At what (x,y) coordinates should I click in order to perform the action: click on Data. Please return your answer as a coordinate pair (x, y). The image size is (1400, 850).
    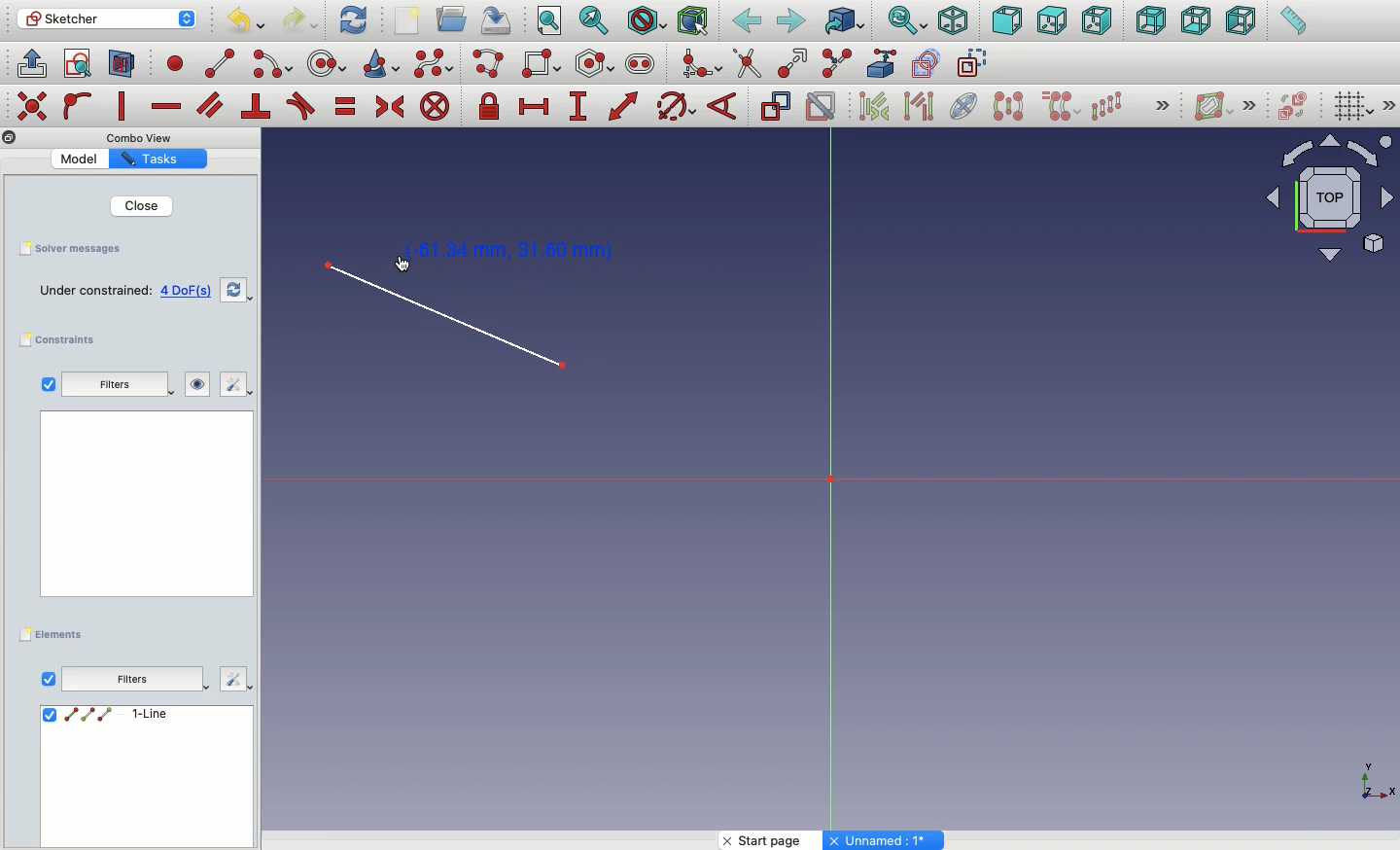
    Looking at the image, I should click on (145, 775).